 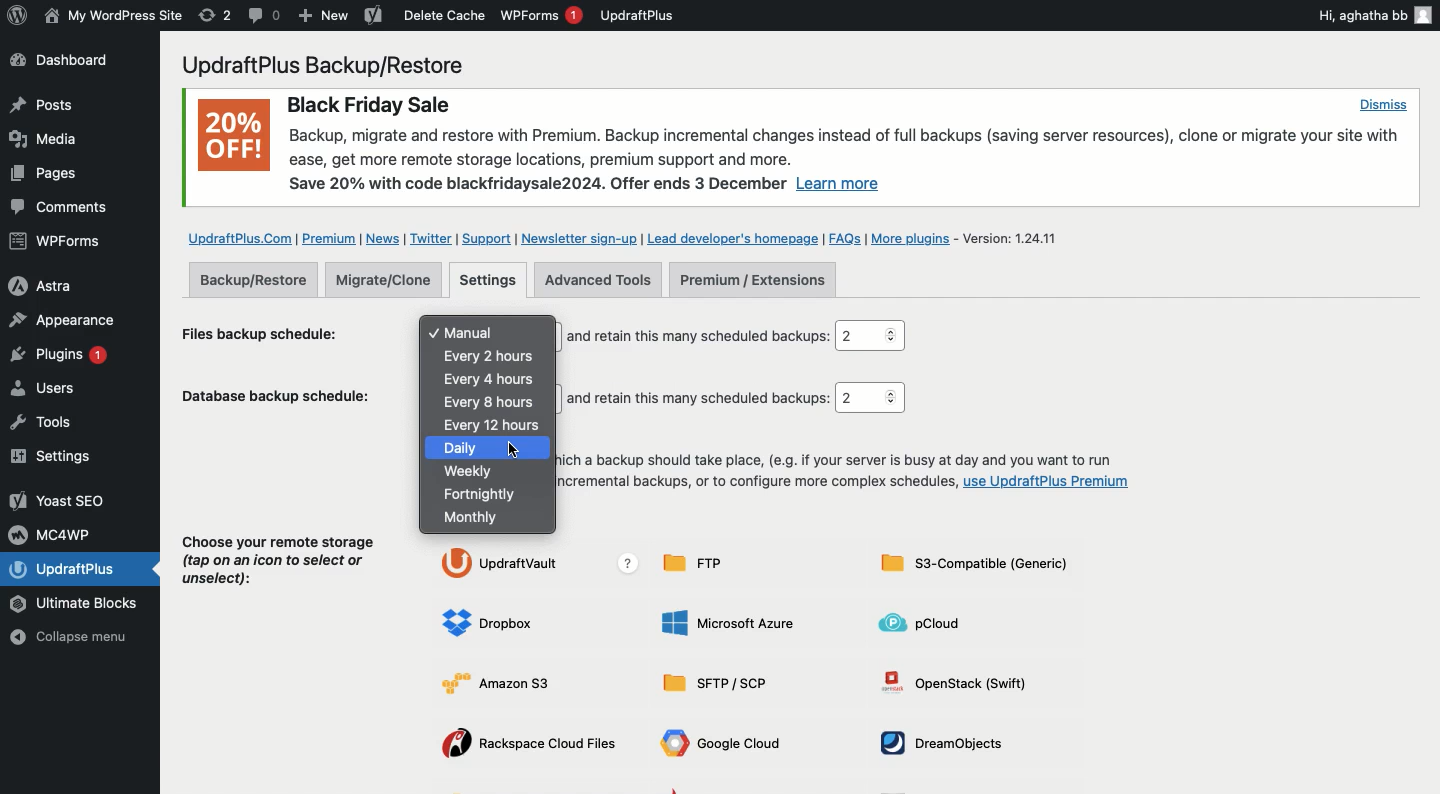 I want to click on Dropbox, so click(x=493, y=624).